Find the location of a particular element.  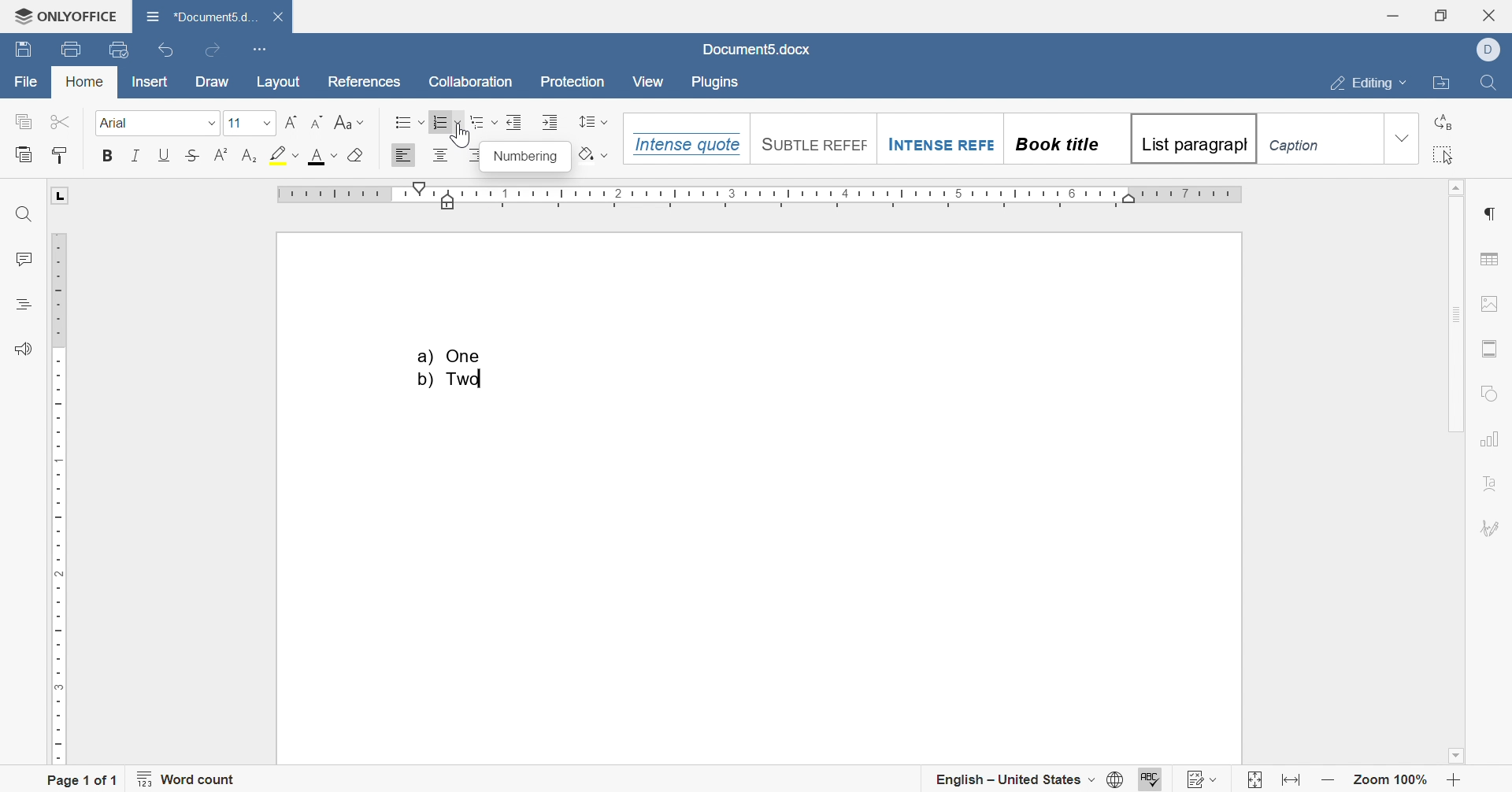

copy style is located at coordinates (61, 154).